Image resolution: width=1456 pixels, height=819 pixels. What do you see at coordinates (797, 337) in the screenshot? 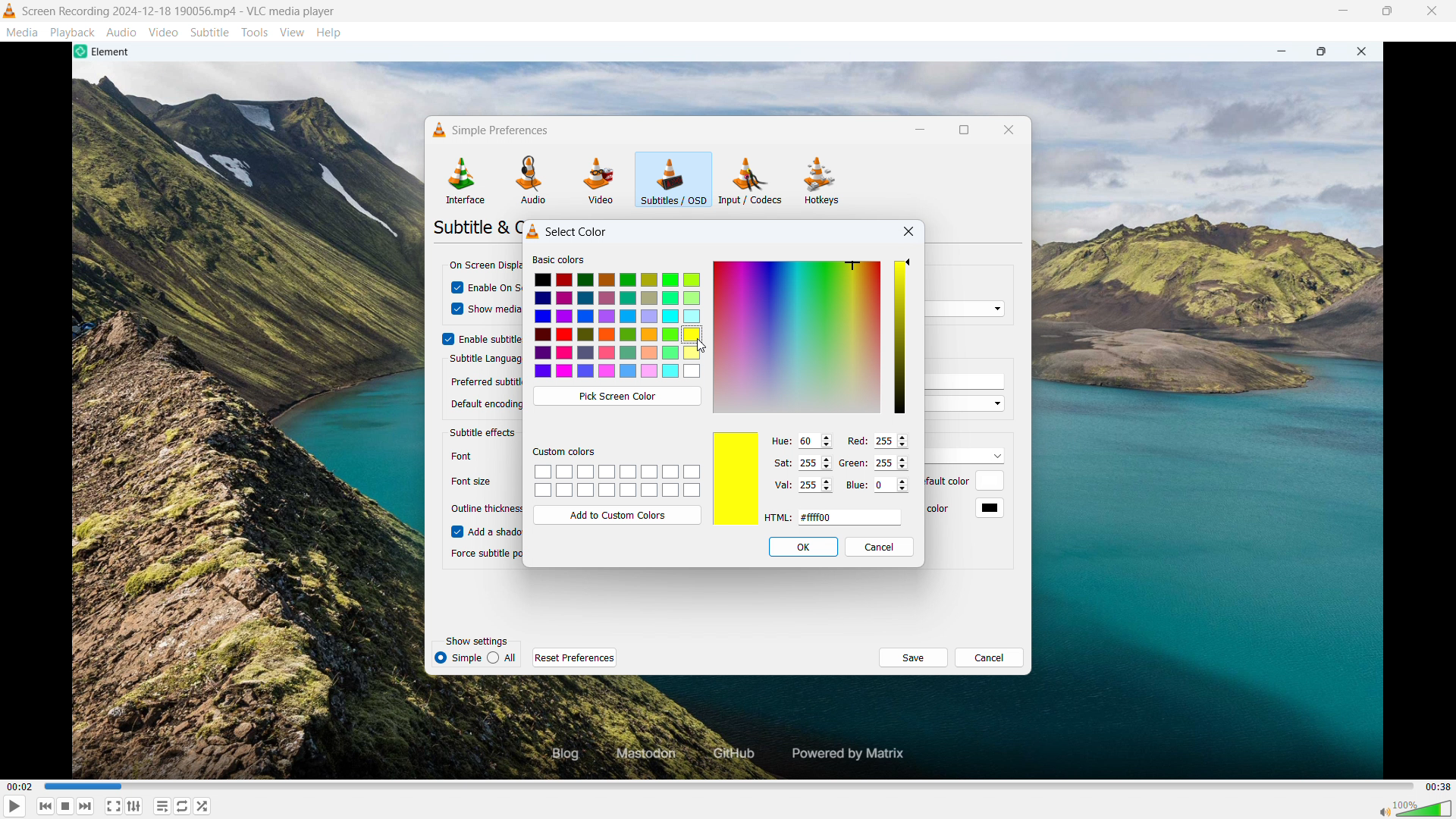
I see `Colour selector ` at bounding box center [797, 337].